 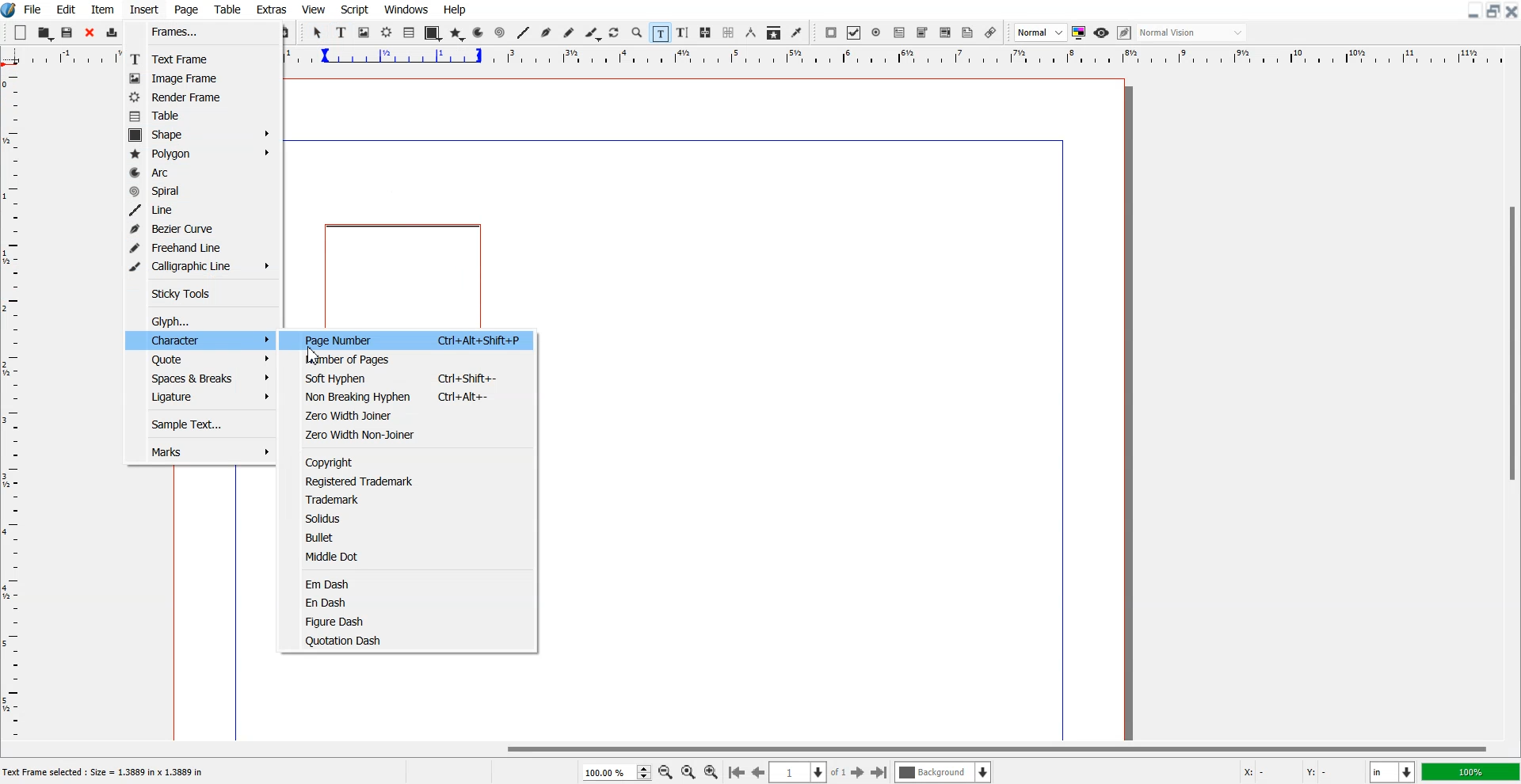 What do you see at coordinates (414, 461) in the screenshot?
I see `Copyright` at bounding box center [414, 461].